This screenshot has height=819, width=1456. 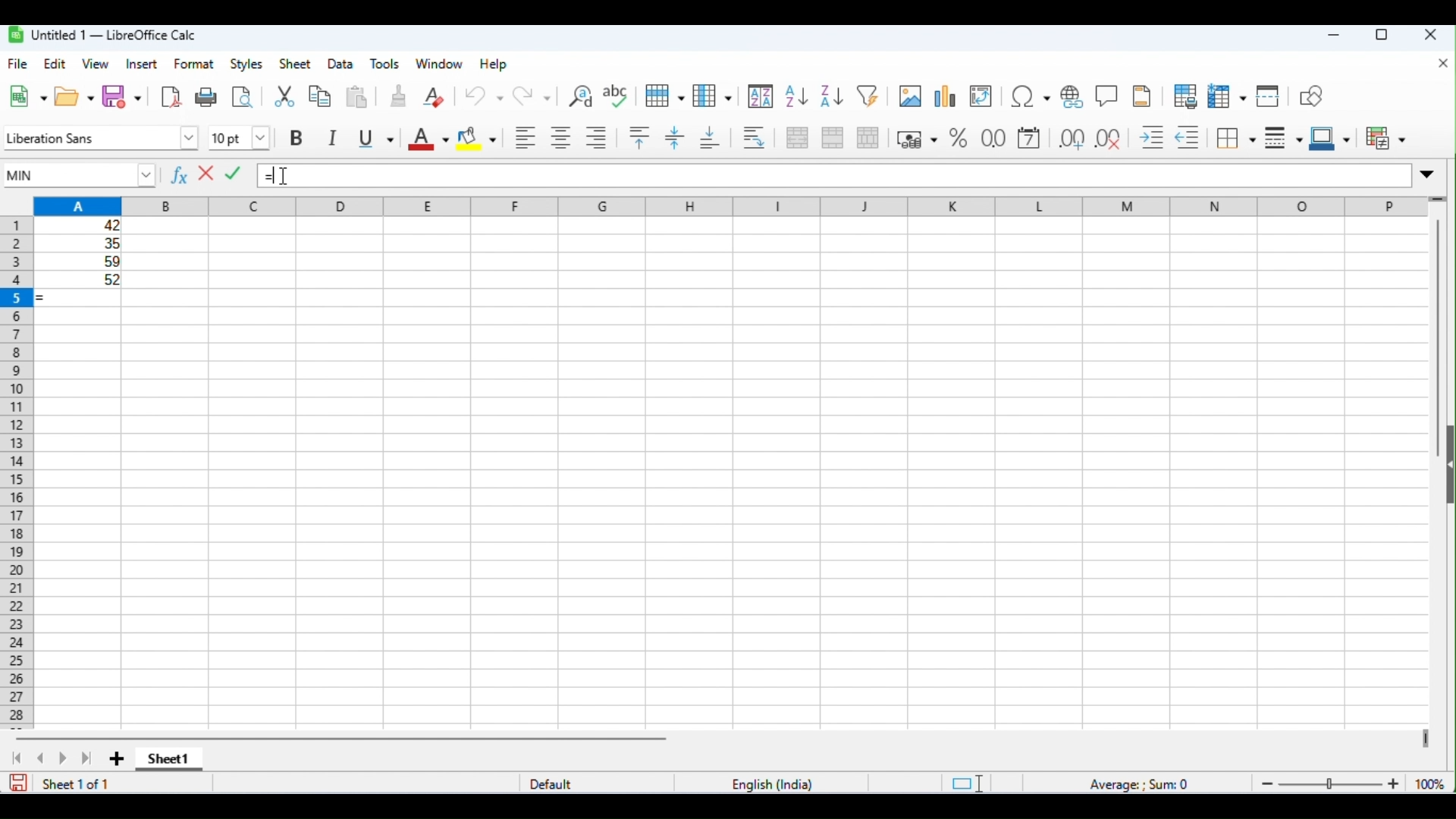 What do you see at coordinates (428, 137) in the screenshot?
I see `font color` at bounding box center [428, 137].